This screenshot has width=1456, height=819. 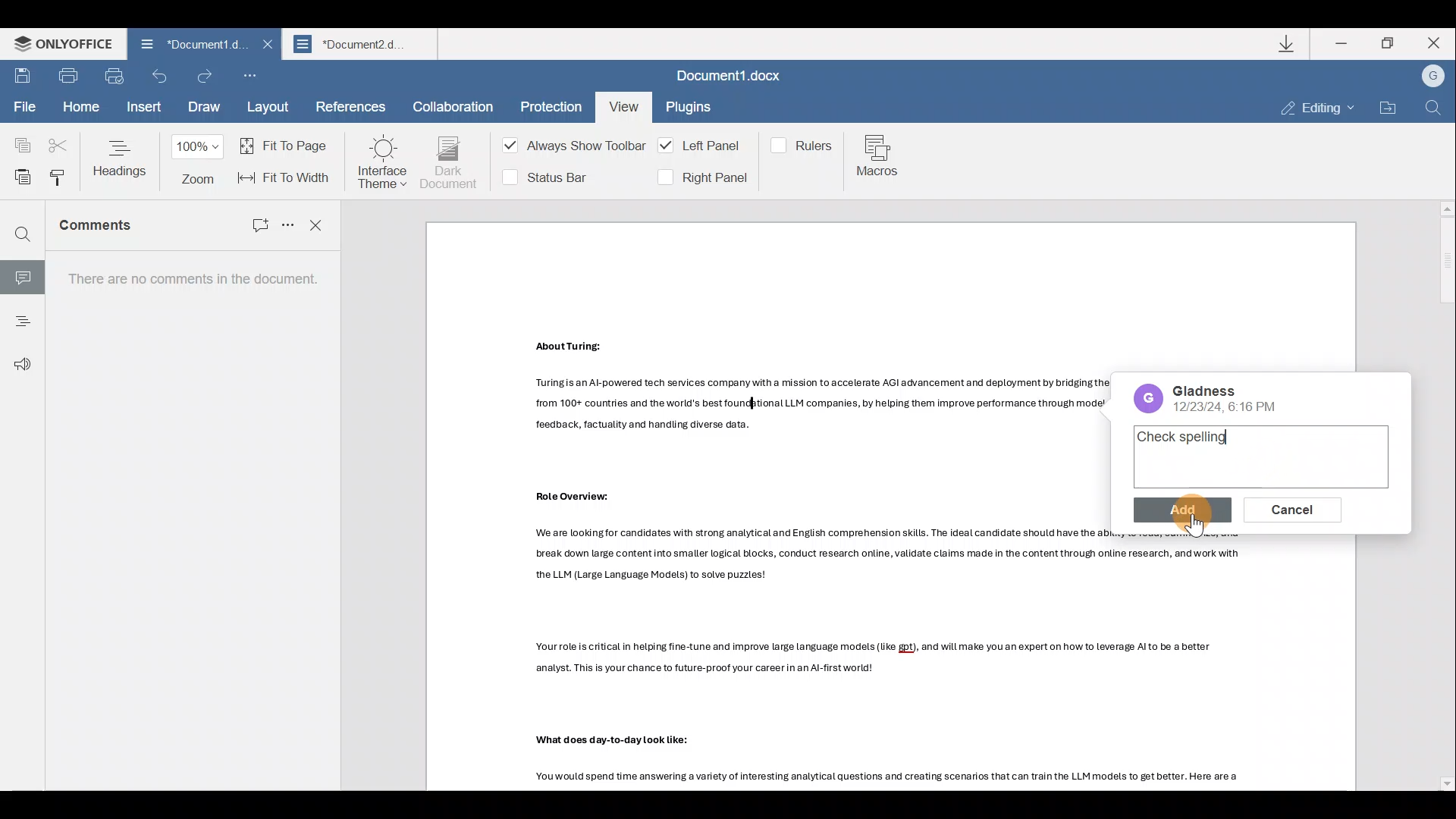 I want to click on Add, so click(x=1178, y=508).